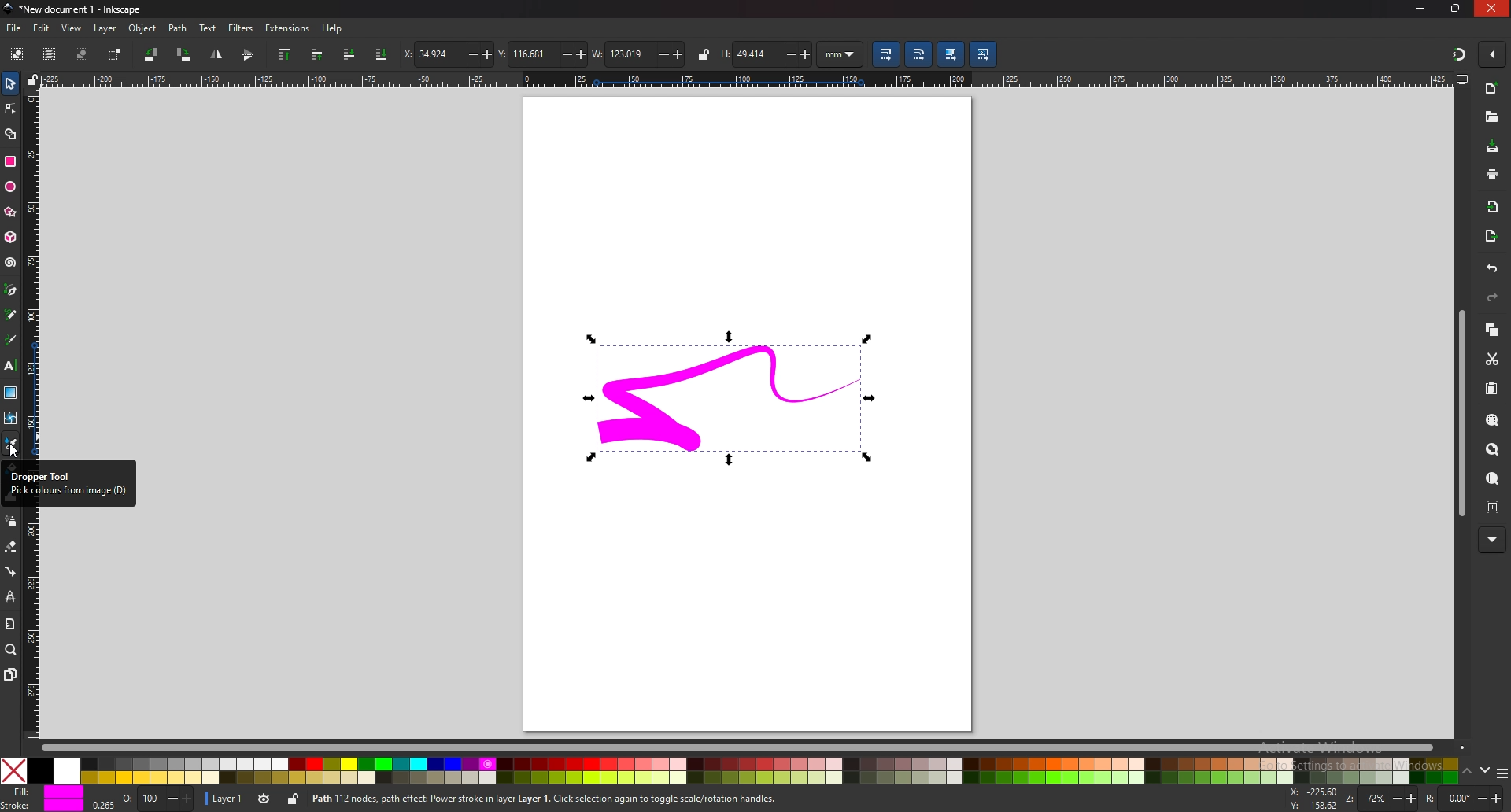 The height and width of the screenshot is (812, 1511). I want to click on lock, so click(705, 56).